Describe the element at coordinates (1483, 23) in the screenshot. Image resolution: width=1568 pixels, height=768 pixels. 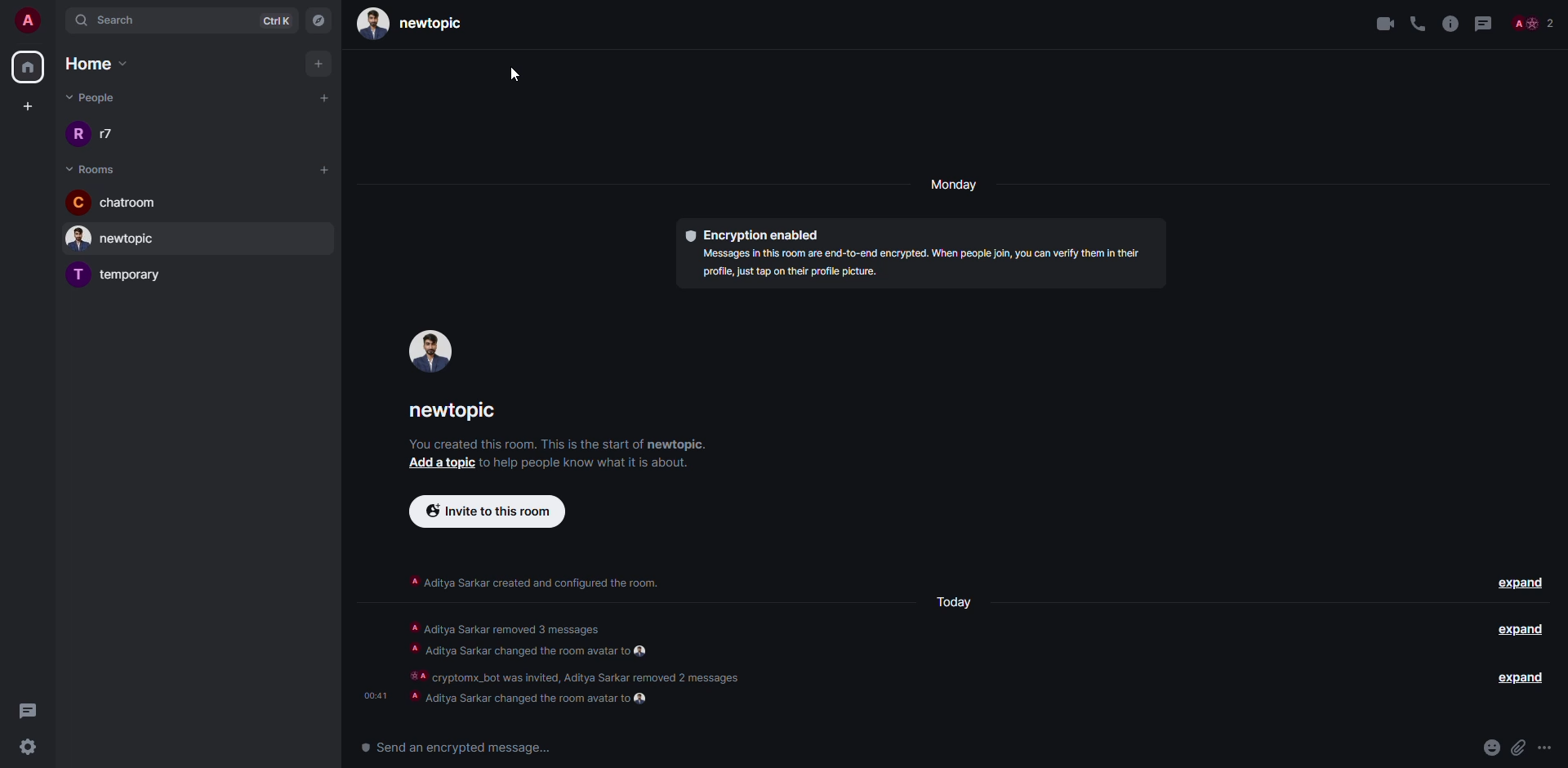
I see `threads` at that location.